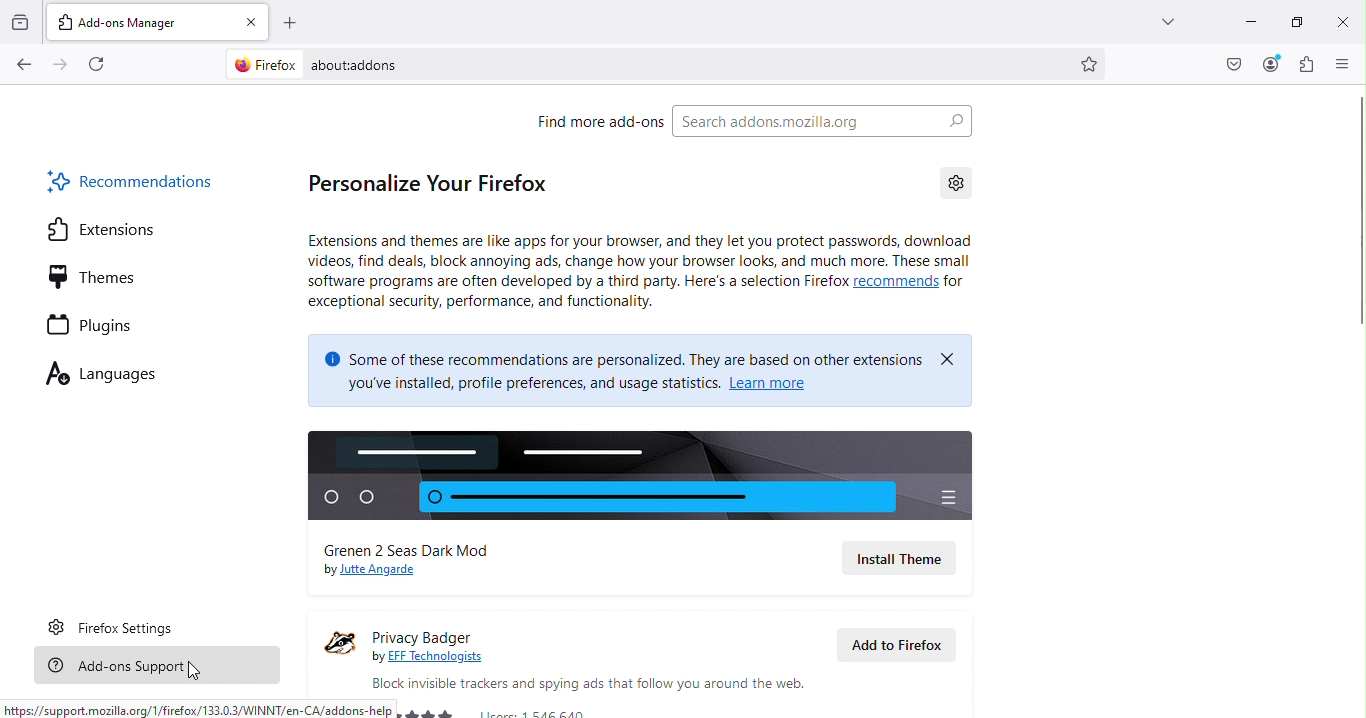 The width and height of the screenshot is (1366, 718). What do you see at coordinates (86, 324) in the screenshot?
I see `Plugins` at bounding box center [86, 324].